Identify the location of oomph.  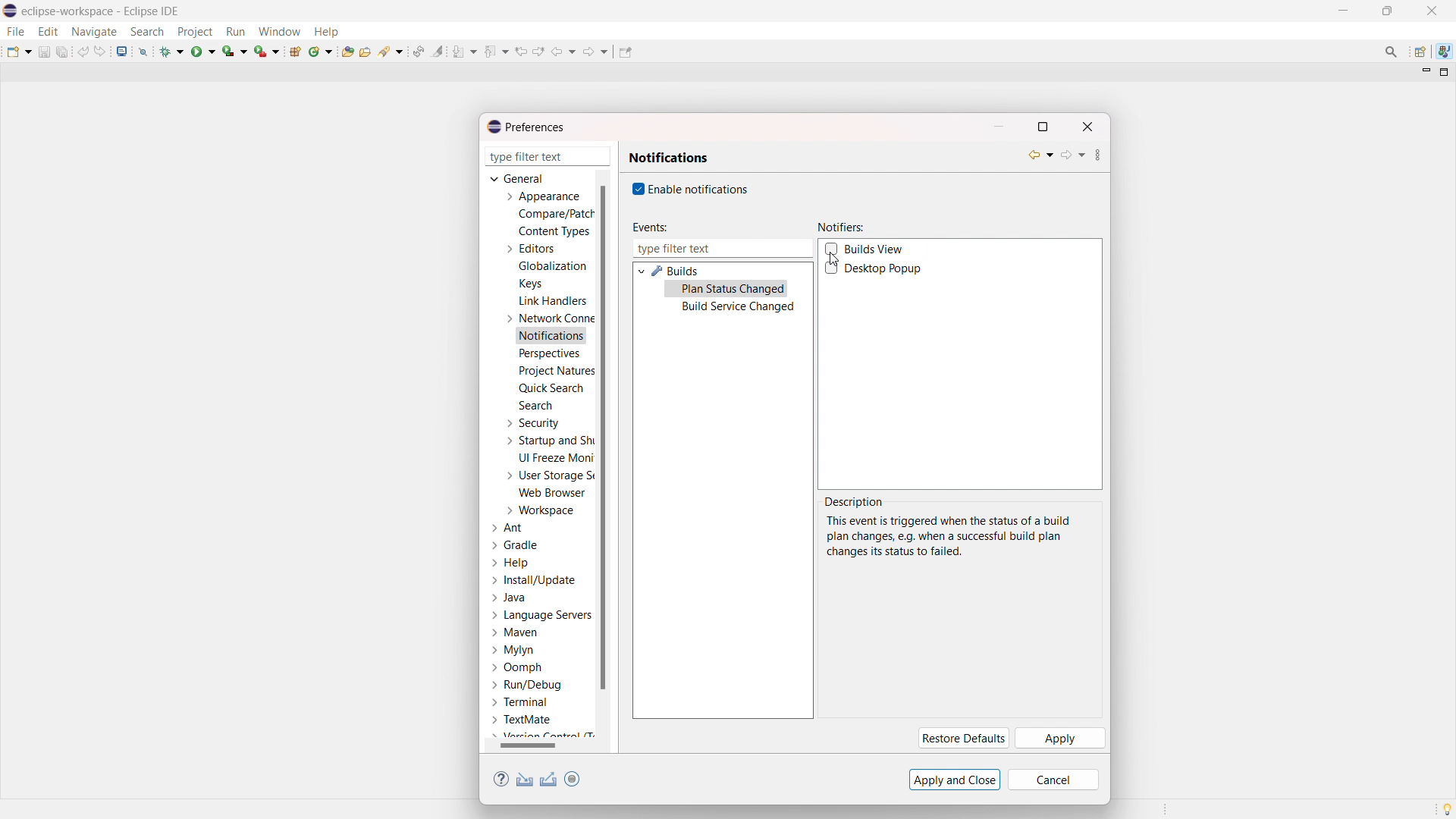
(516, 669).